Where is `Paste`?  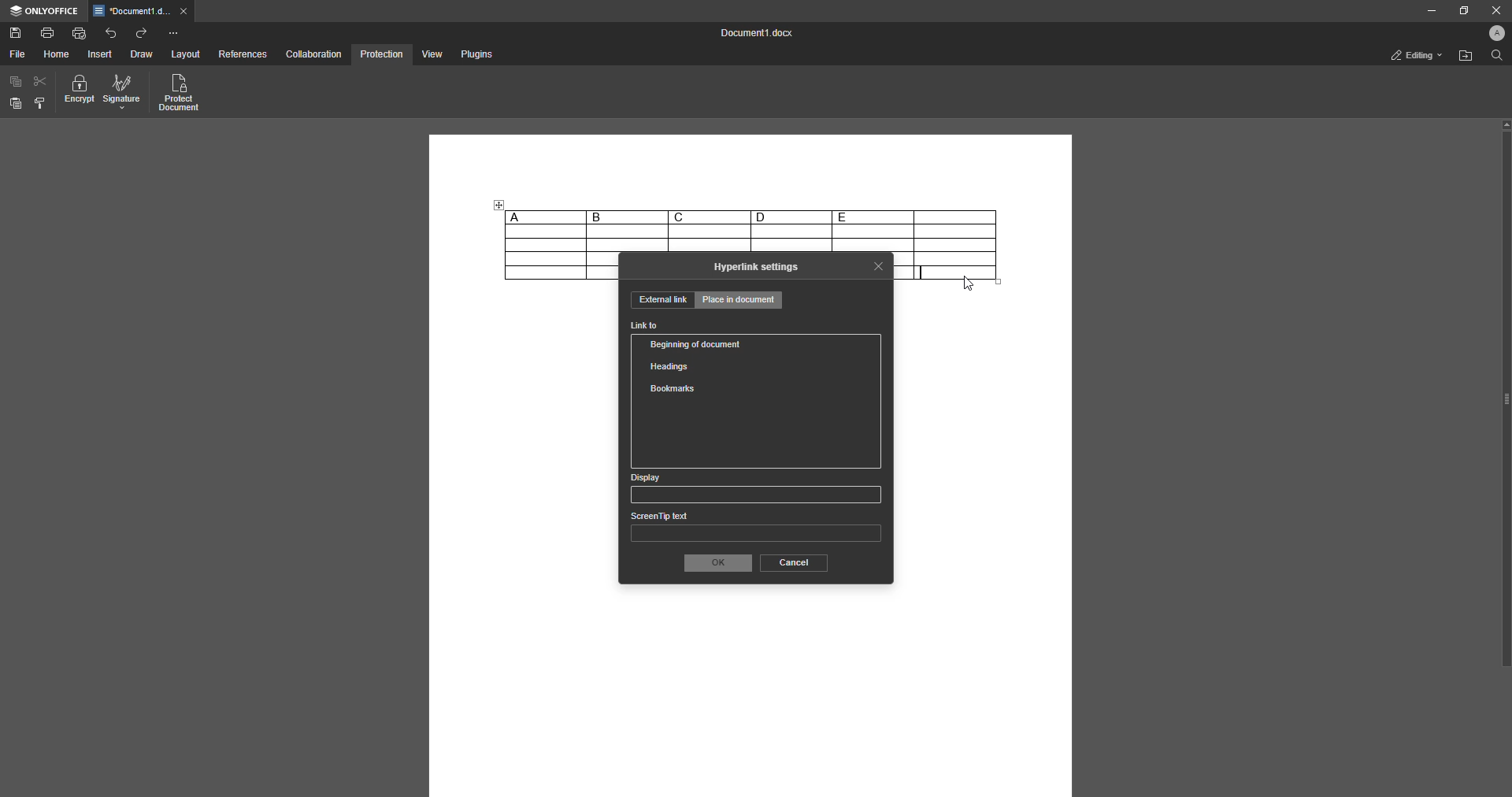
Paste is located at coordinates (16, 104).